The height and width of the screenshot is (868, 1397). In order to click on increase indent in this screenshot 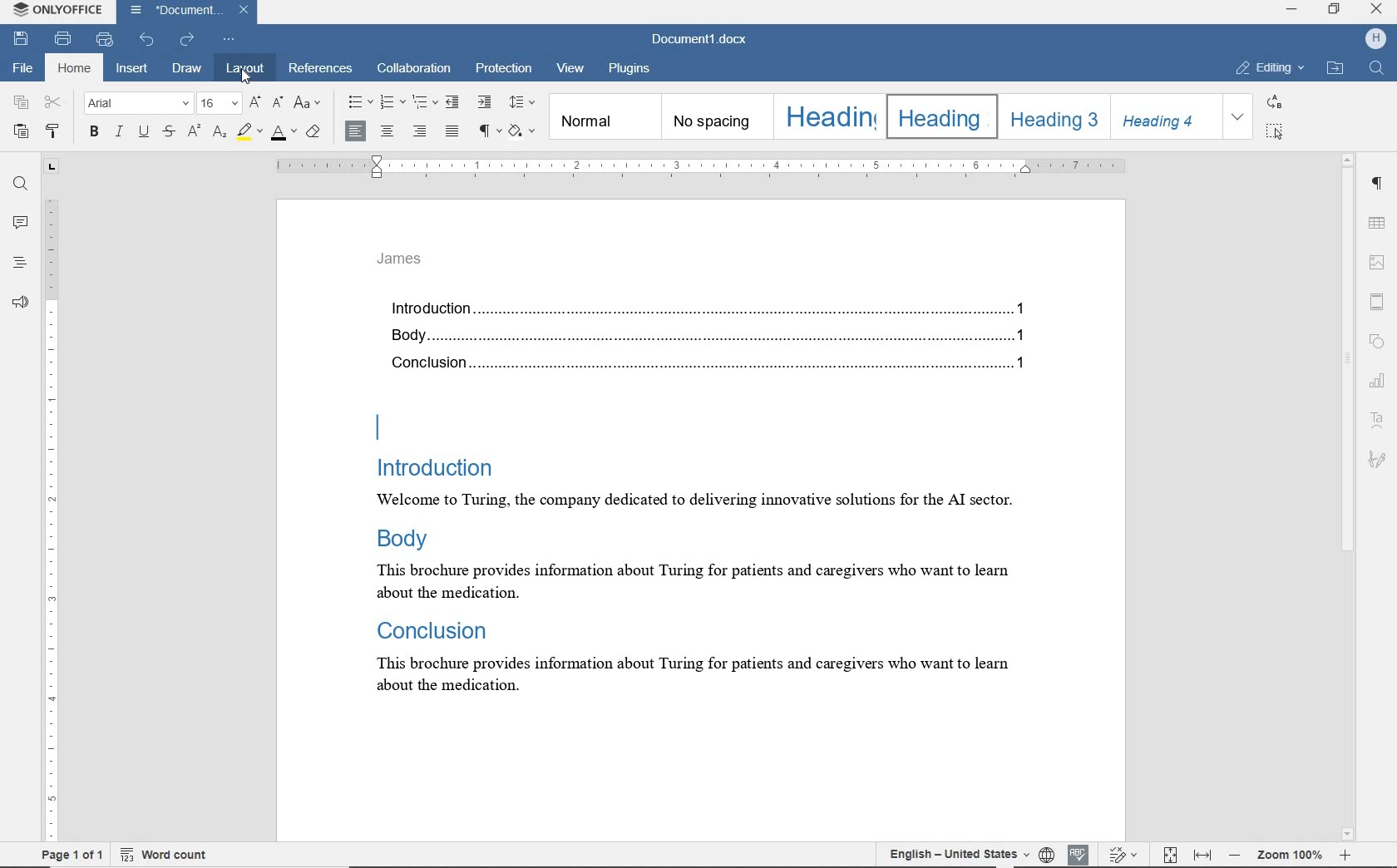, I will do `click(485, 101)`.